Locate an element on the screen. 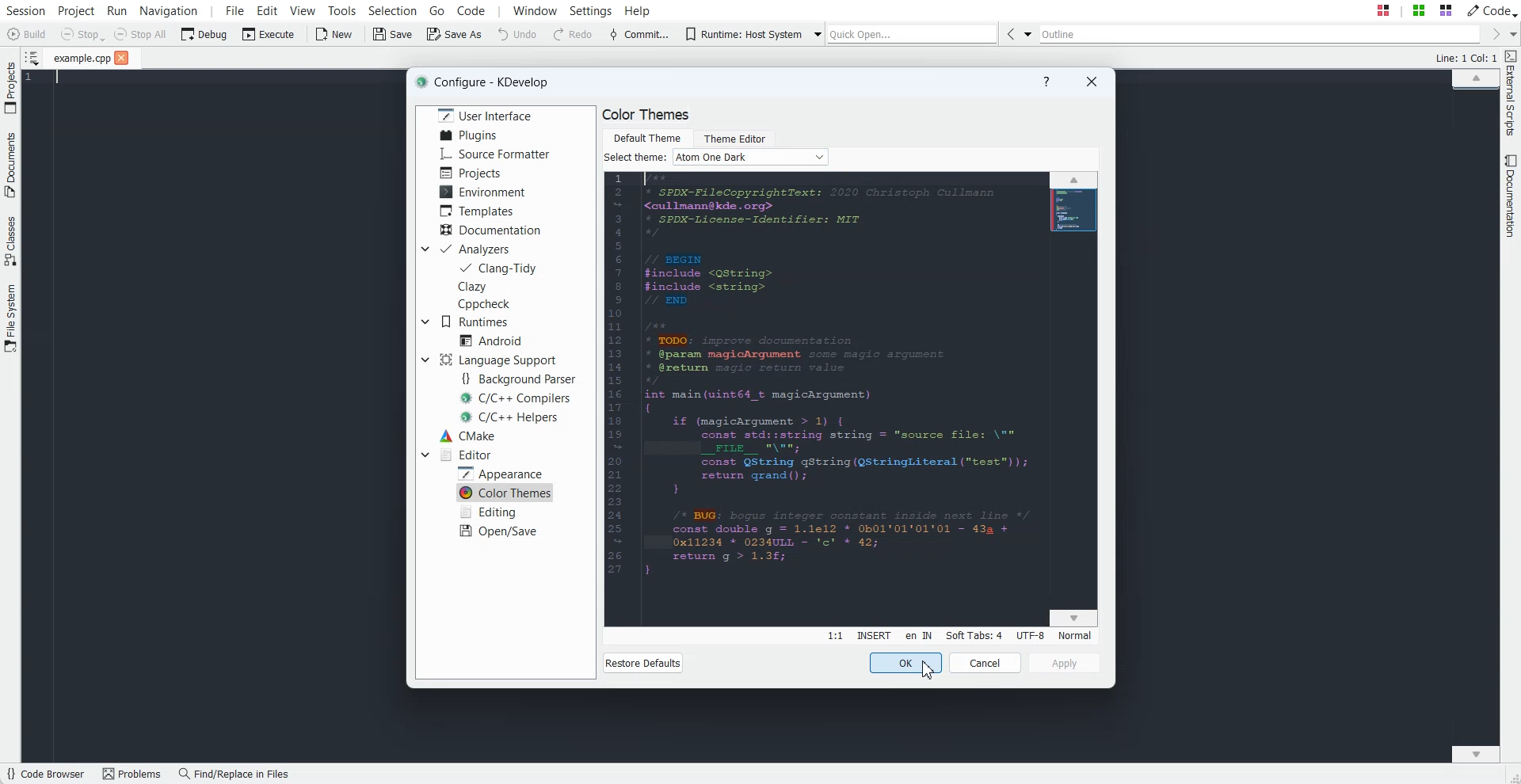 The width and height of the screenshot is (1521, 784). Go is located at coordinates (437, 10).